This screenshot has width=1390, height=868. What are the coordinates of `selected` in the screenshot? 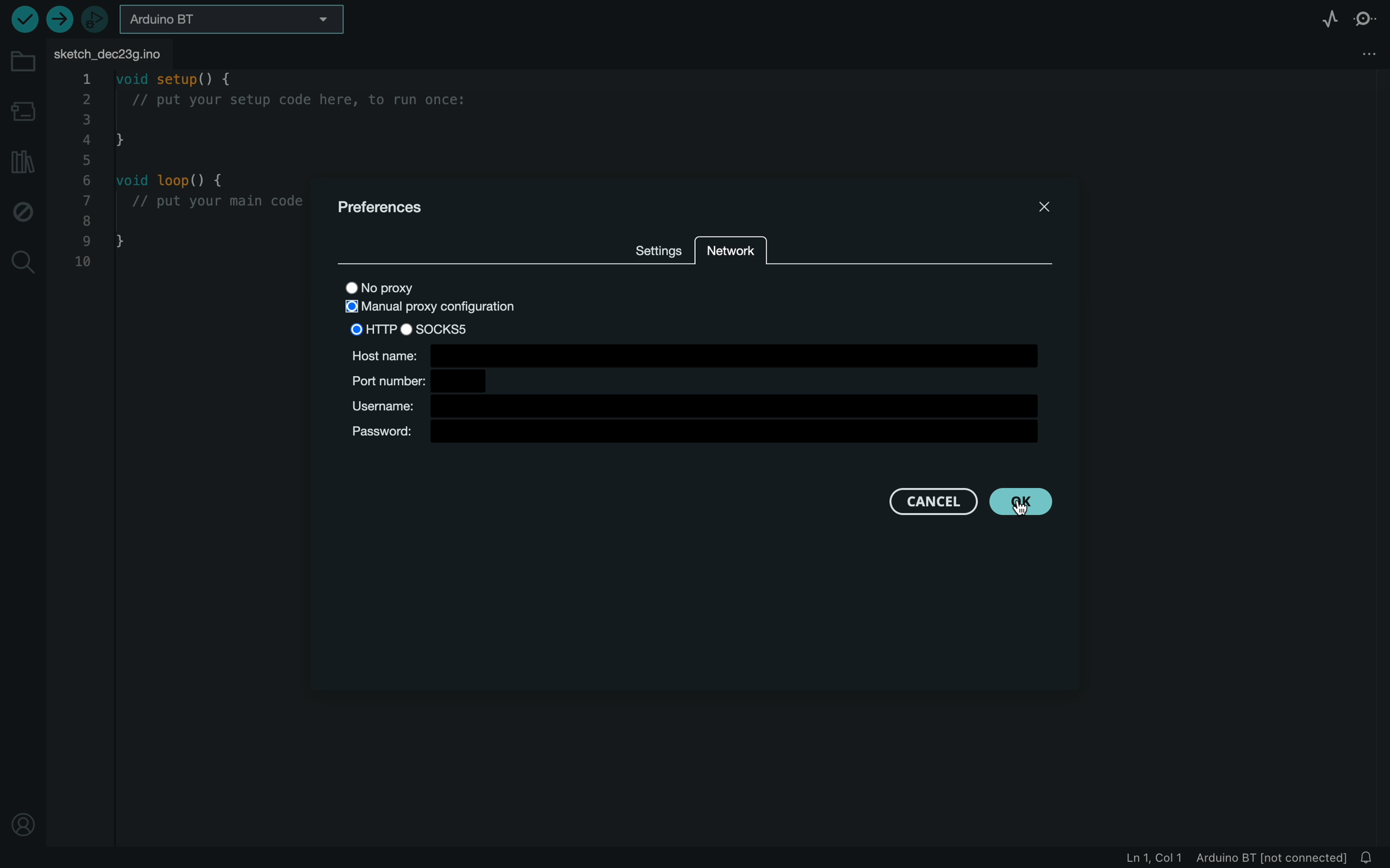 It's located at (434, 307).